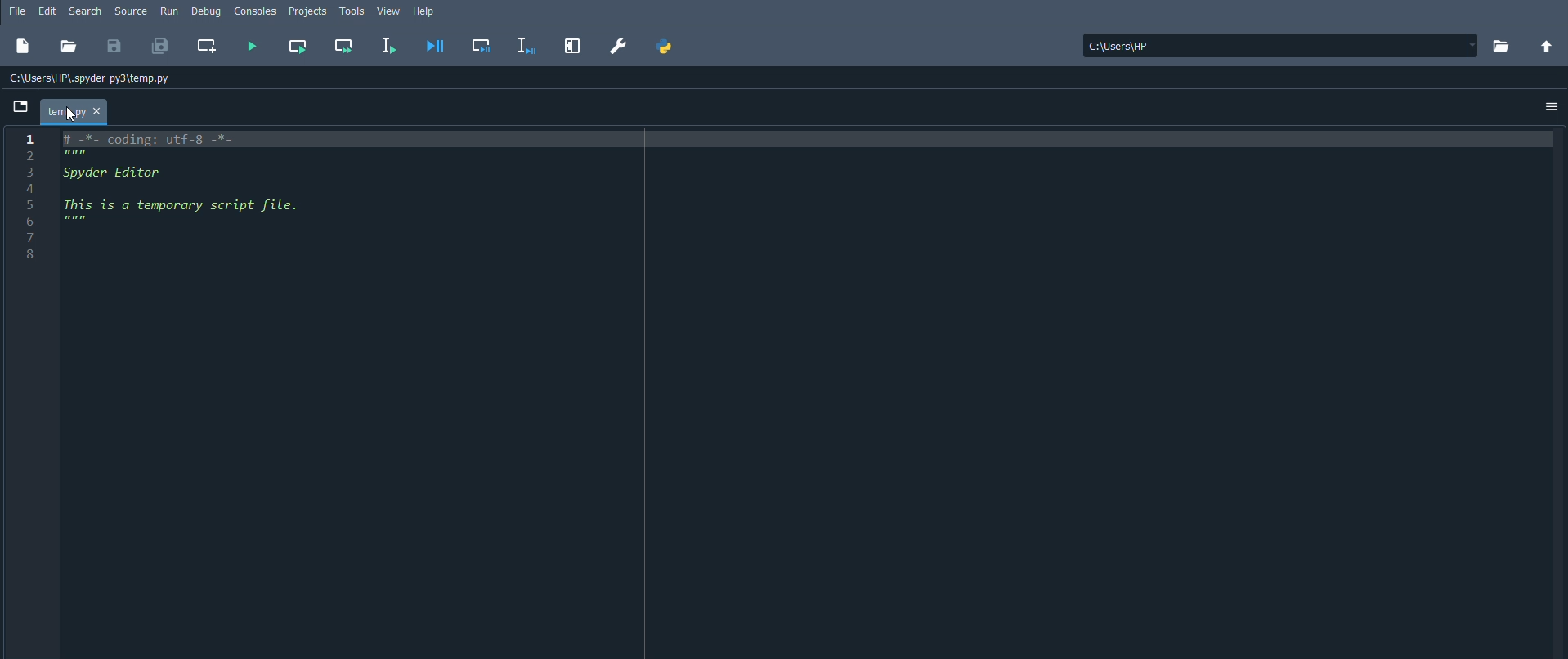 The image size is (1568, 659). I want to click on C:\Users\HP\.spyder-py3\temp.py, so click(96, 79).